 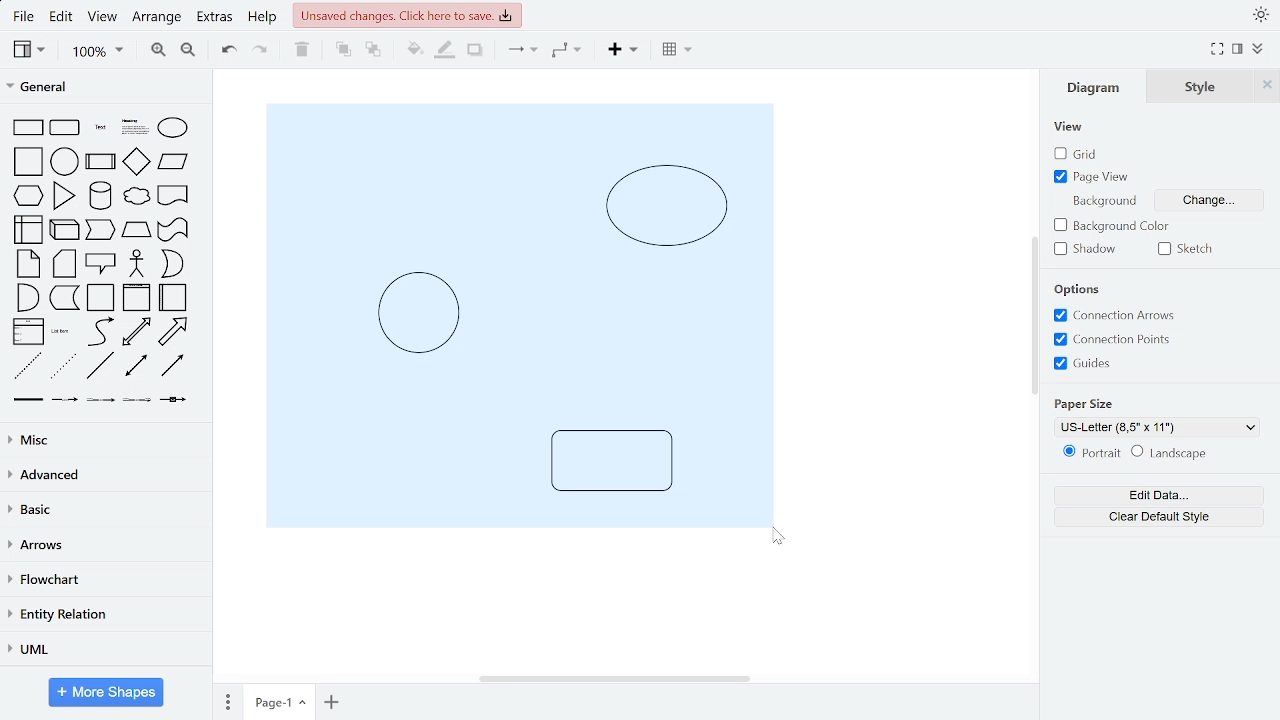 I want to click on horizontal container, so click(x=175, y=297).